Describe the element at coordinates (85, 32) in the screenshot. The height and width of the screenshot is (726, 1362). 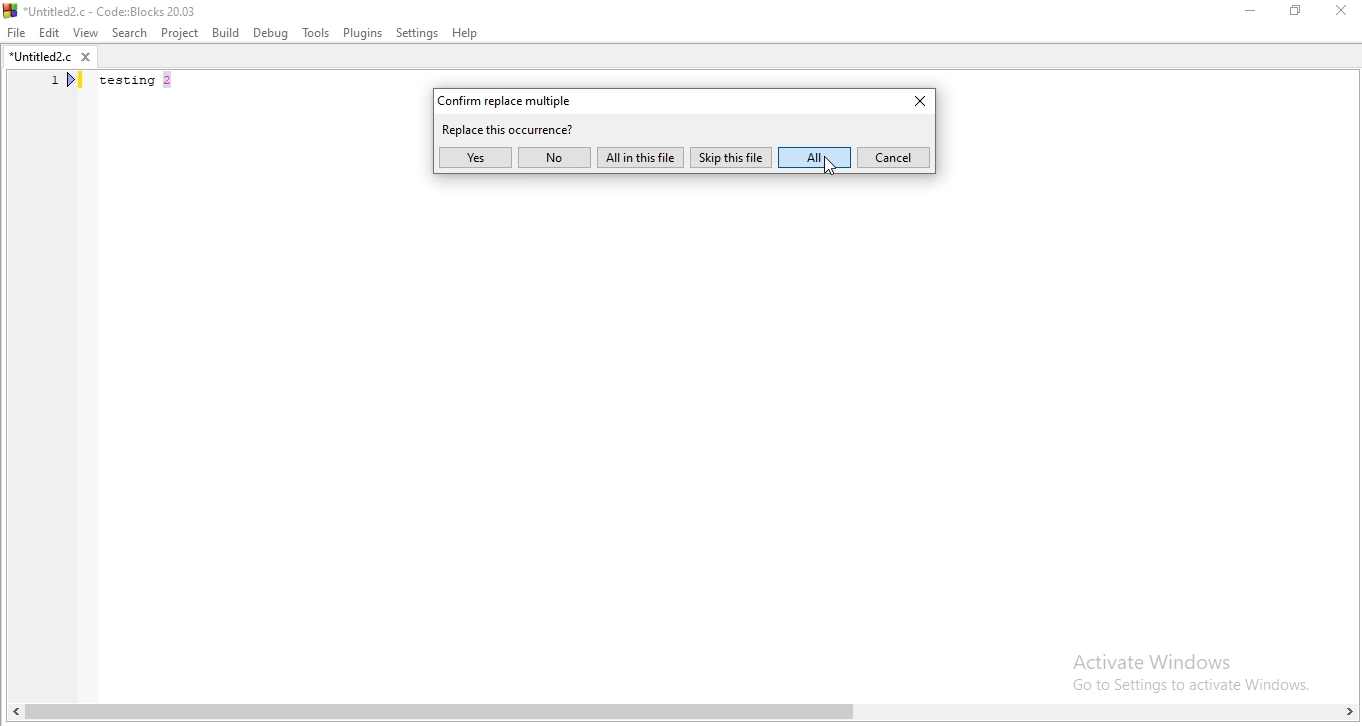
I see `View ` at that location.